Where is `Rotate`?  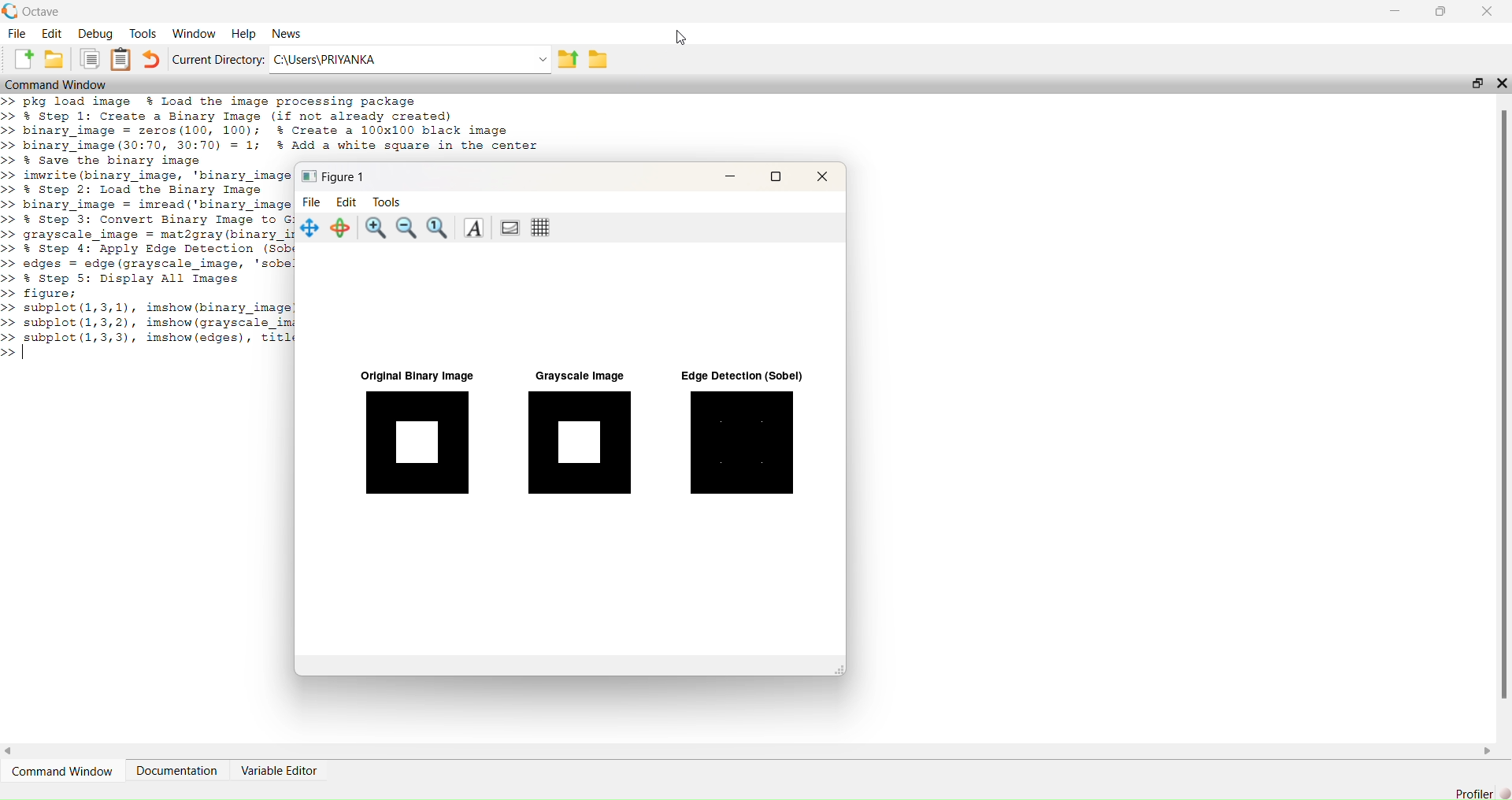
Rotate is located at coordinates (342, 228).